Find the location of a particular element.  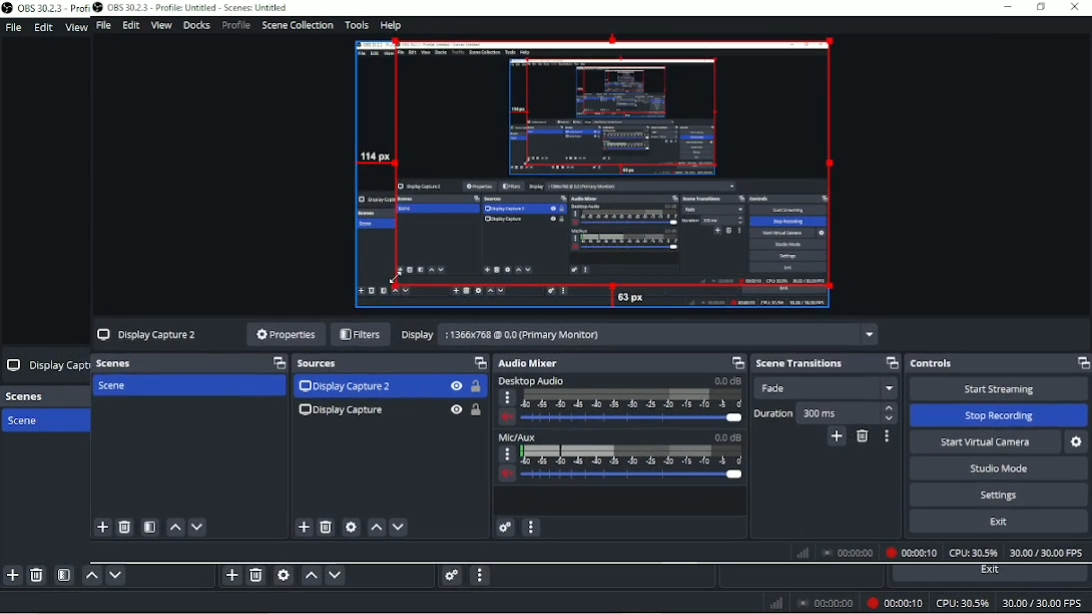

Tools is located at coordinates (357, 24).